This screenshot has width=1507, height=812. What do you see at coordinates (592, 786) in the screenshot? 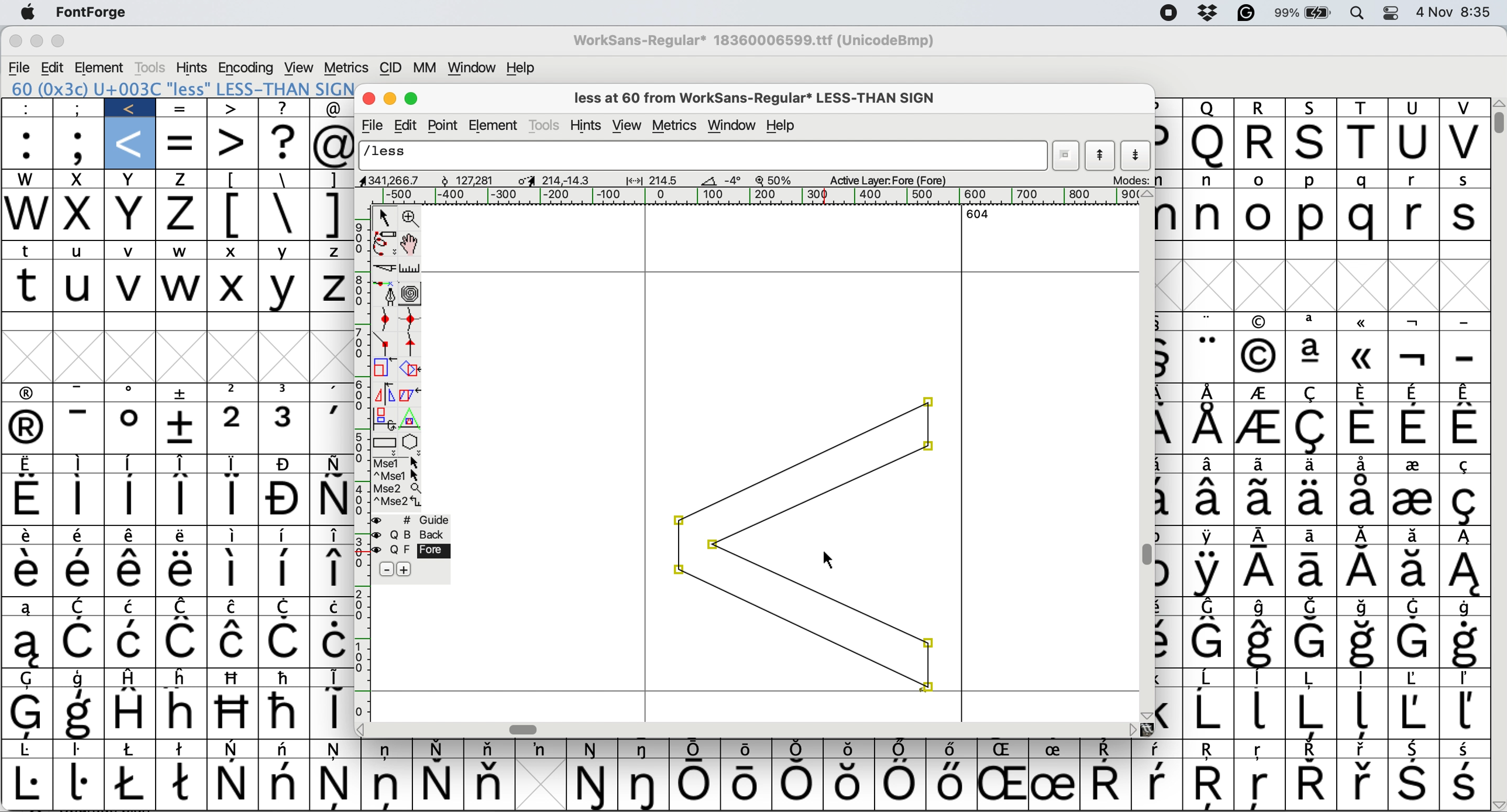
I see `Symbol` at bounding box center [592, 786].